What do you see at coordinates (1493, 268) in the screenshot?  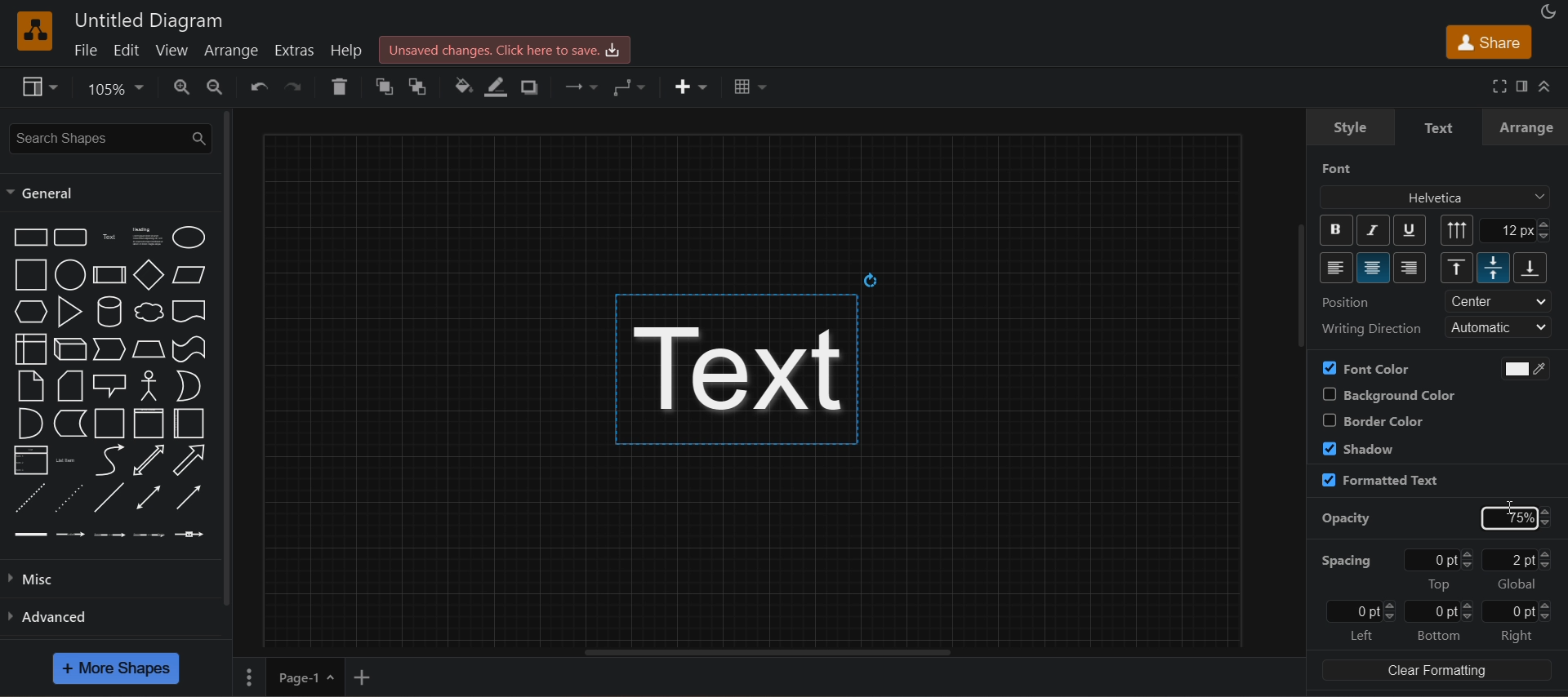 I see `middle` at bounding box center [1493, 268].